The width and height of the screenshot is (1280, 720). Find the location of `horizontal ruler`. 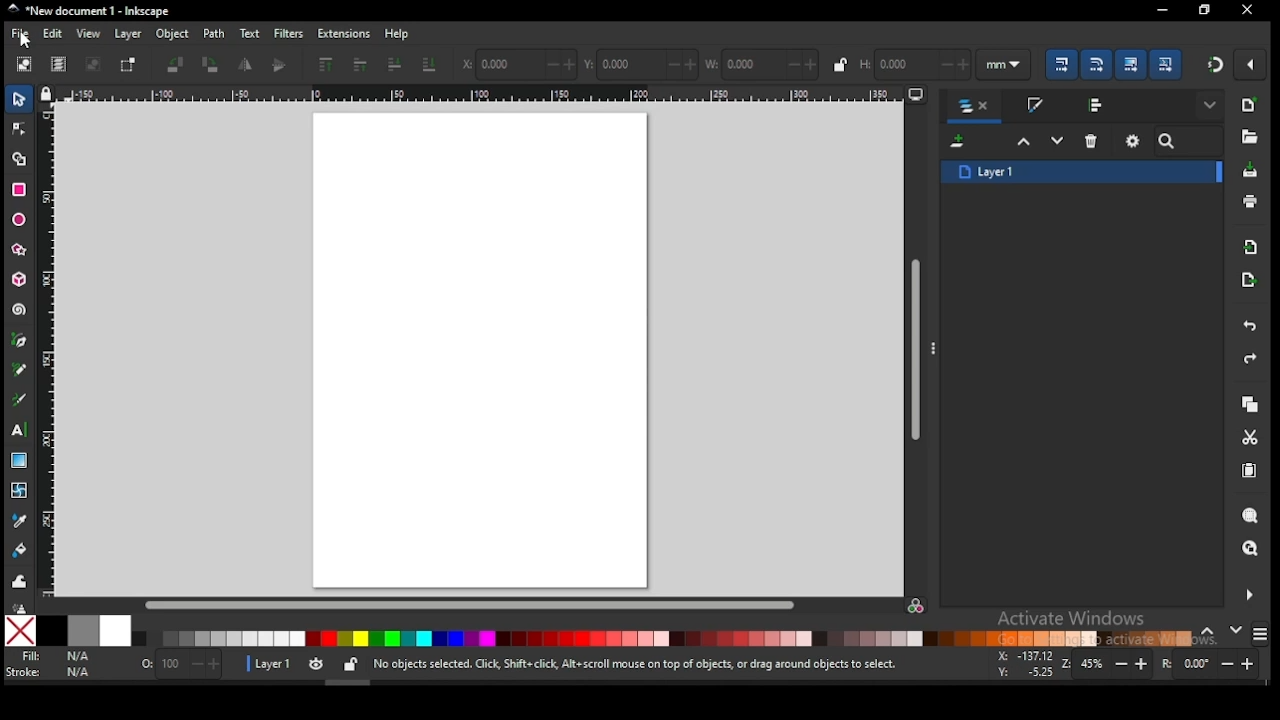

horizontal ruler is located at coordinates (479, 93).